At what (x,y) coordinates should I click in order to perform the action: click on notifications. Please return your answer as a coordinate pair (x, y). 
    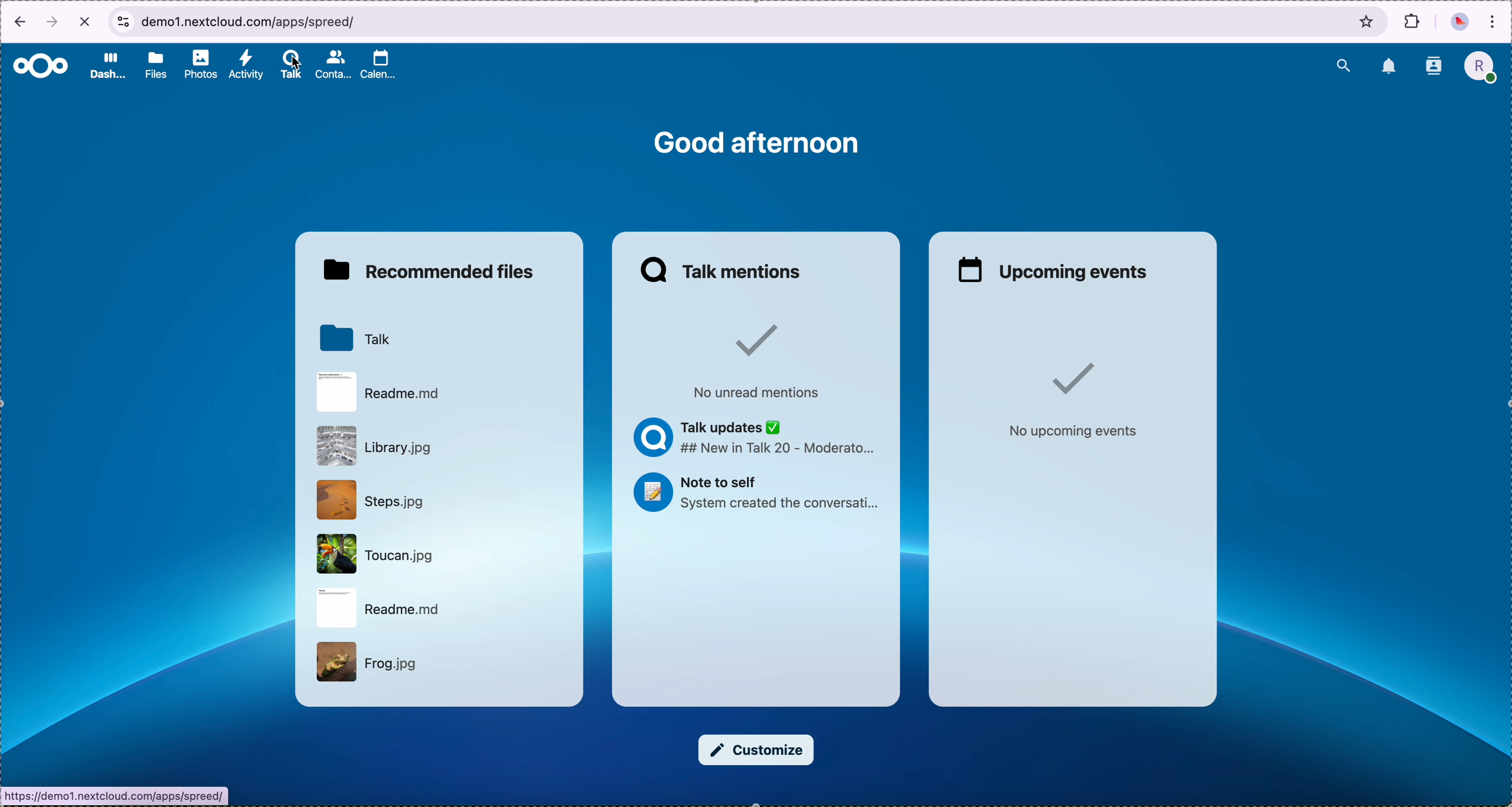
    Looking at the image, I should click on (1389, 67).